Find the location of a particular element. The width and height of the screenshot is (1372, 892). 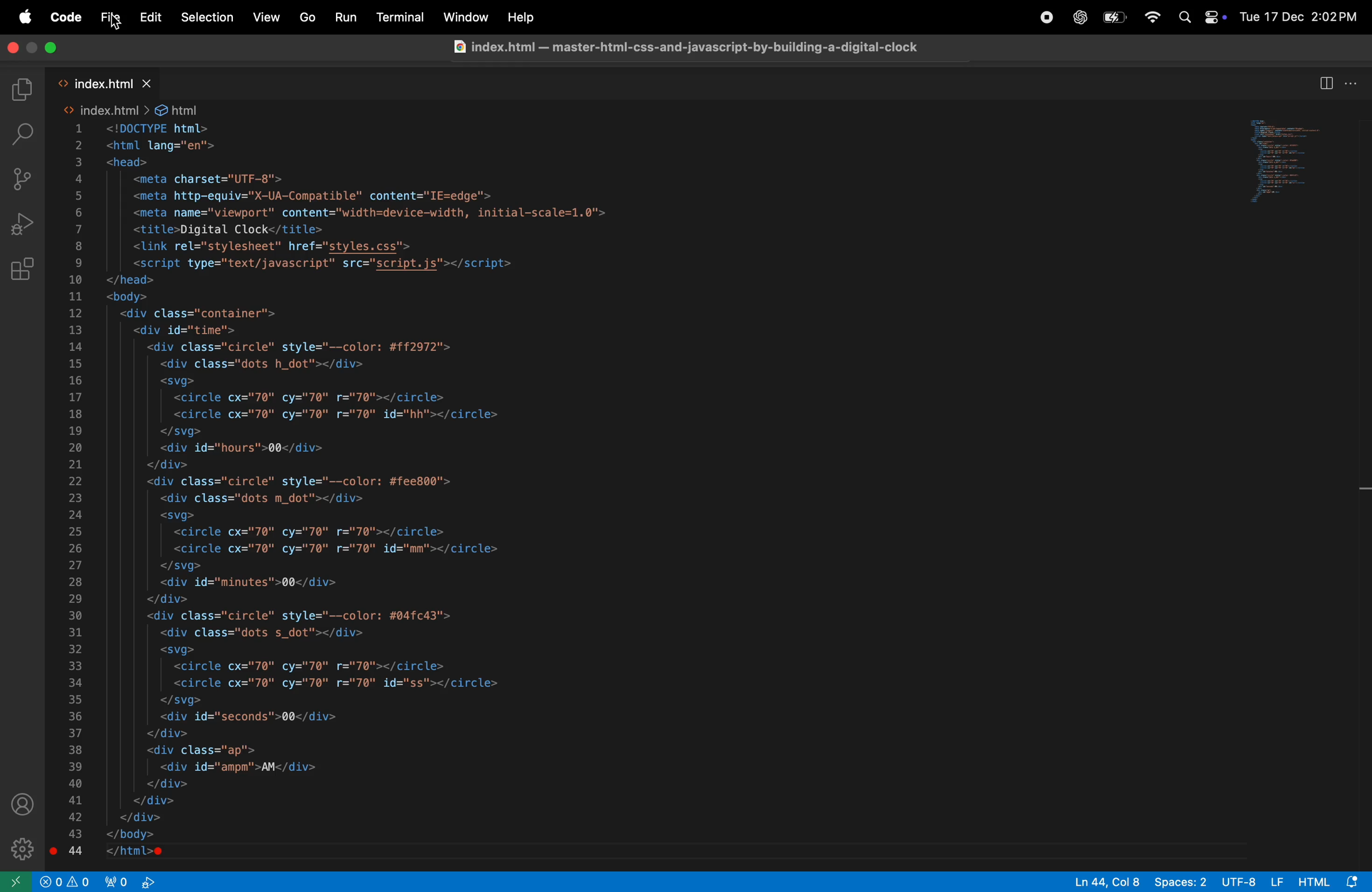

file is located at coordinates (112, 17).